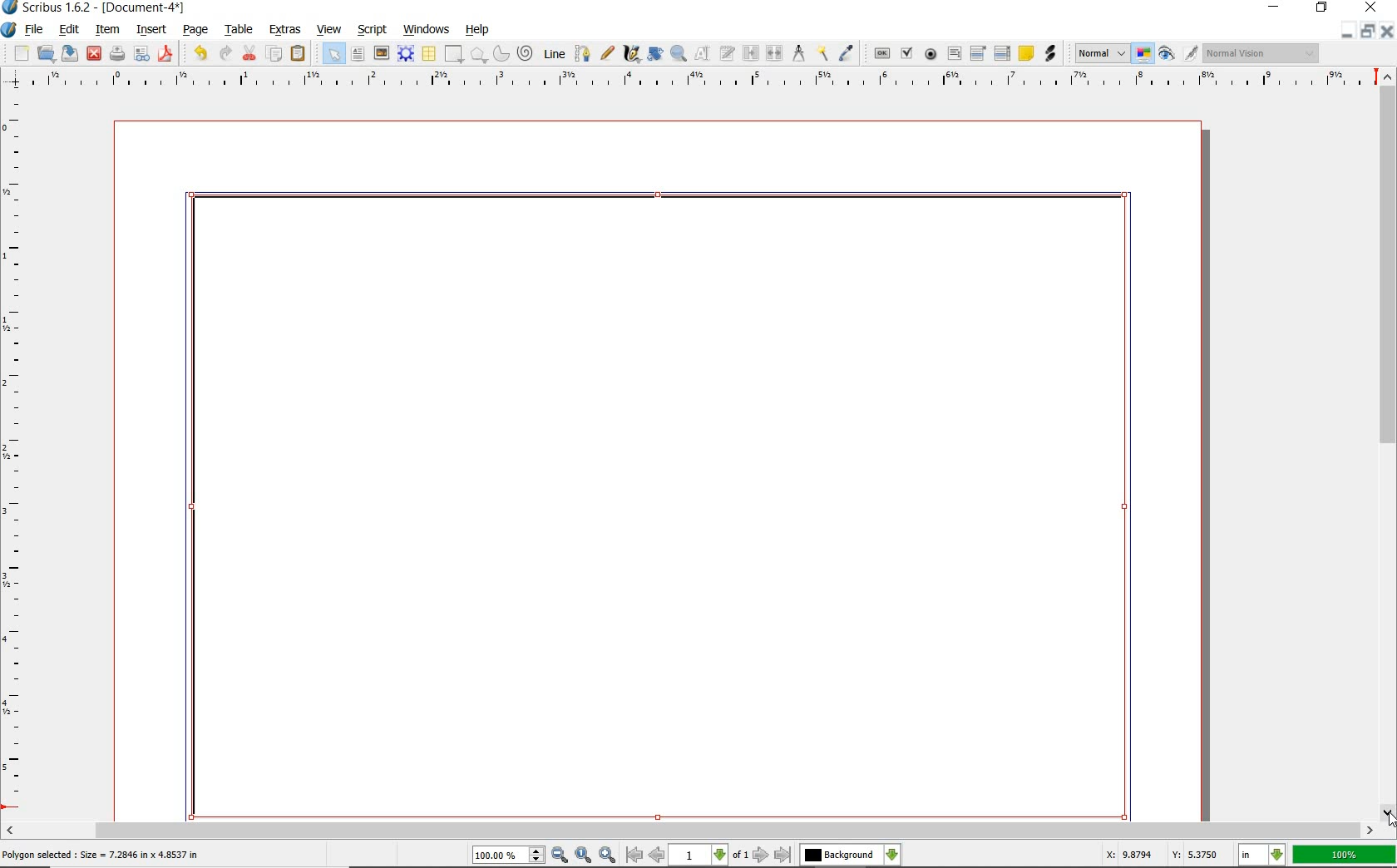 The height and width of the screenshot is (868, 1397). Describe the element at coordinates (798, 54) in the screenshot. I see `measurements` at that location.